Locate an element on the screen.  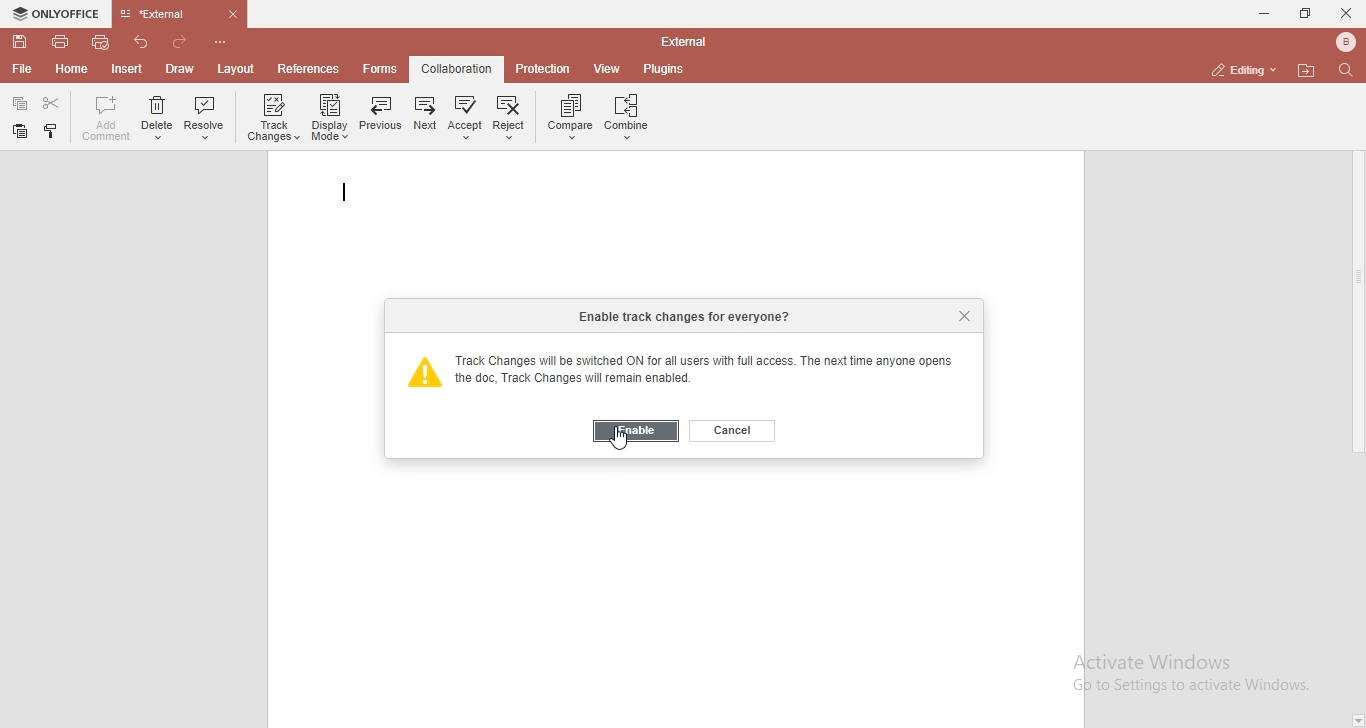
compare is located at coordinates (567, 116).